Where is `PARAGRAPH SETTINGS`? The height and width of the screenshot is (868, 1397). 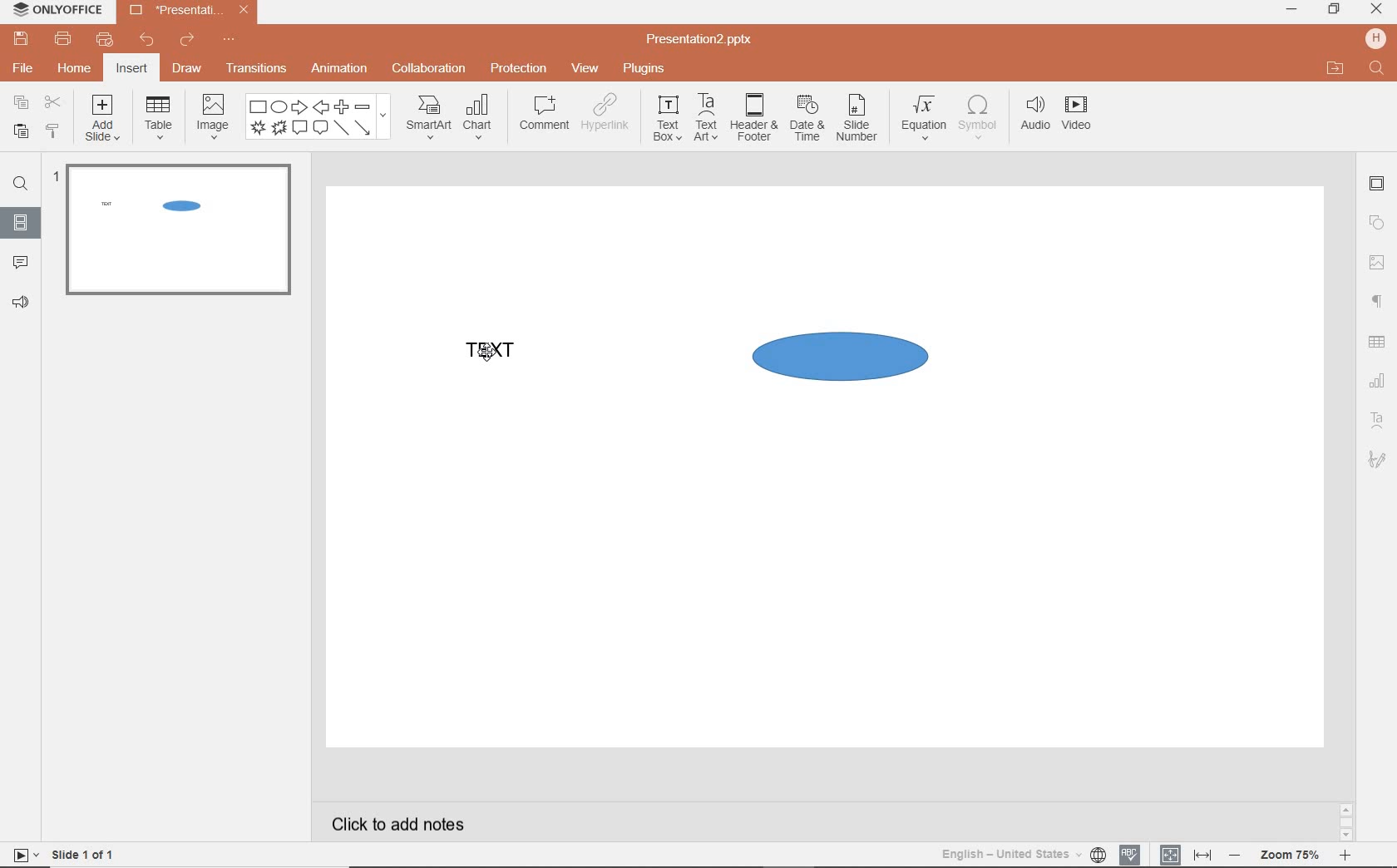 PARAGRAPH SETTINGS is located at coordinates (1378, 303).